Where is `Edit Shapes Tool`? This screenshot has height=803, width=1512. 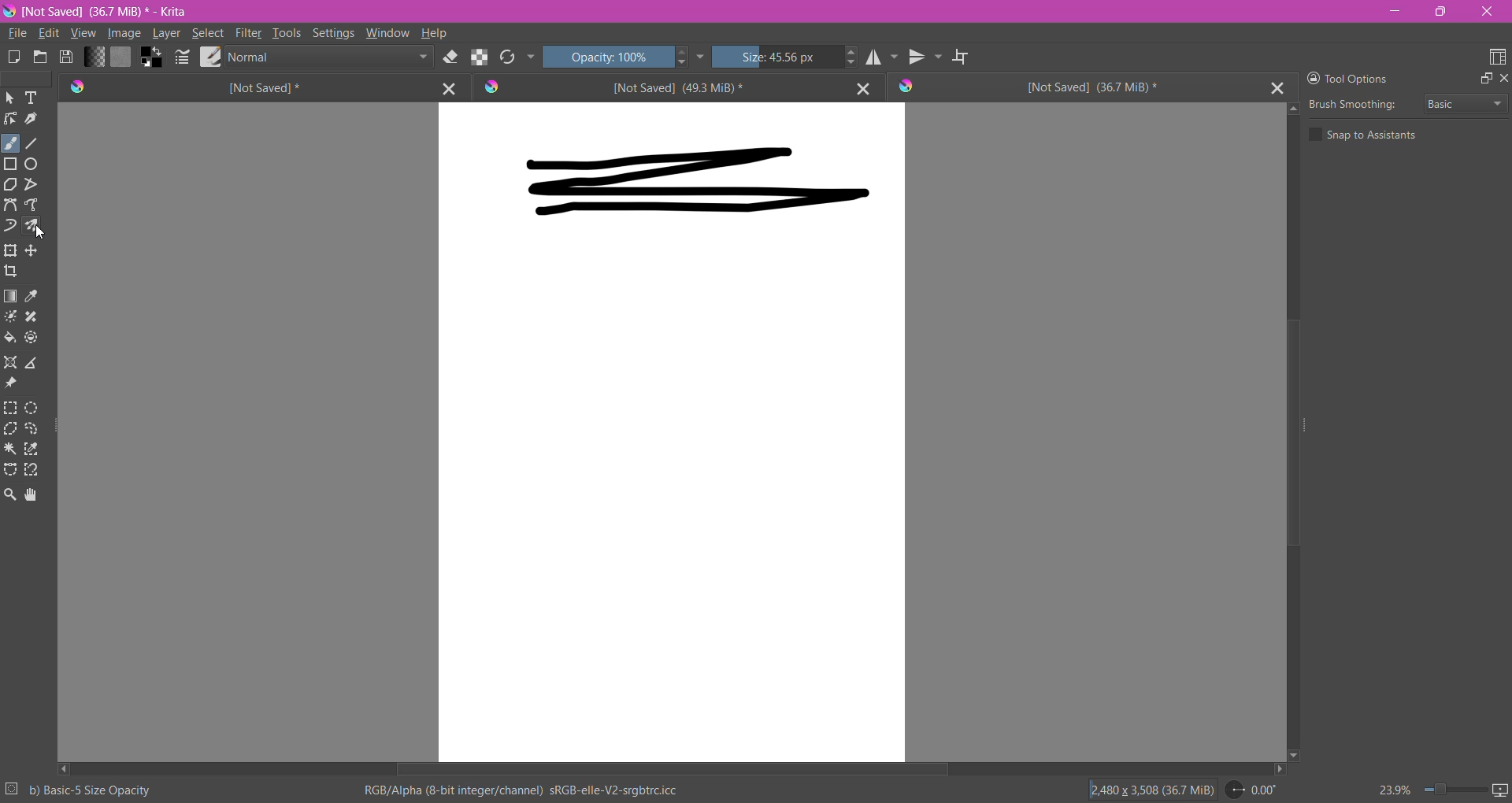
Edit Shapes Tool is located at coordinates (11, 119).